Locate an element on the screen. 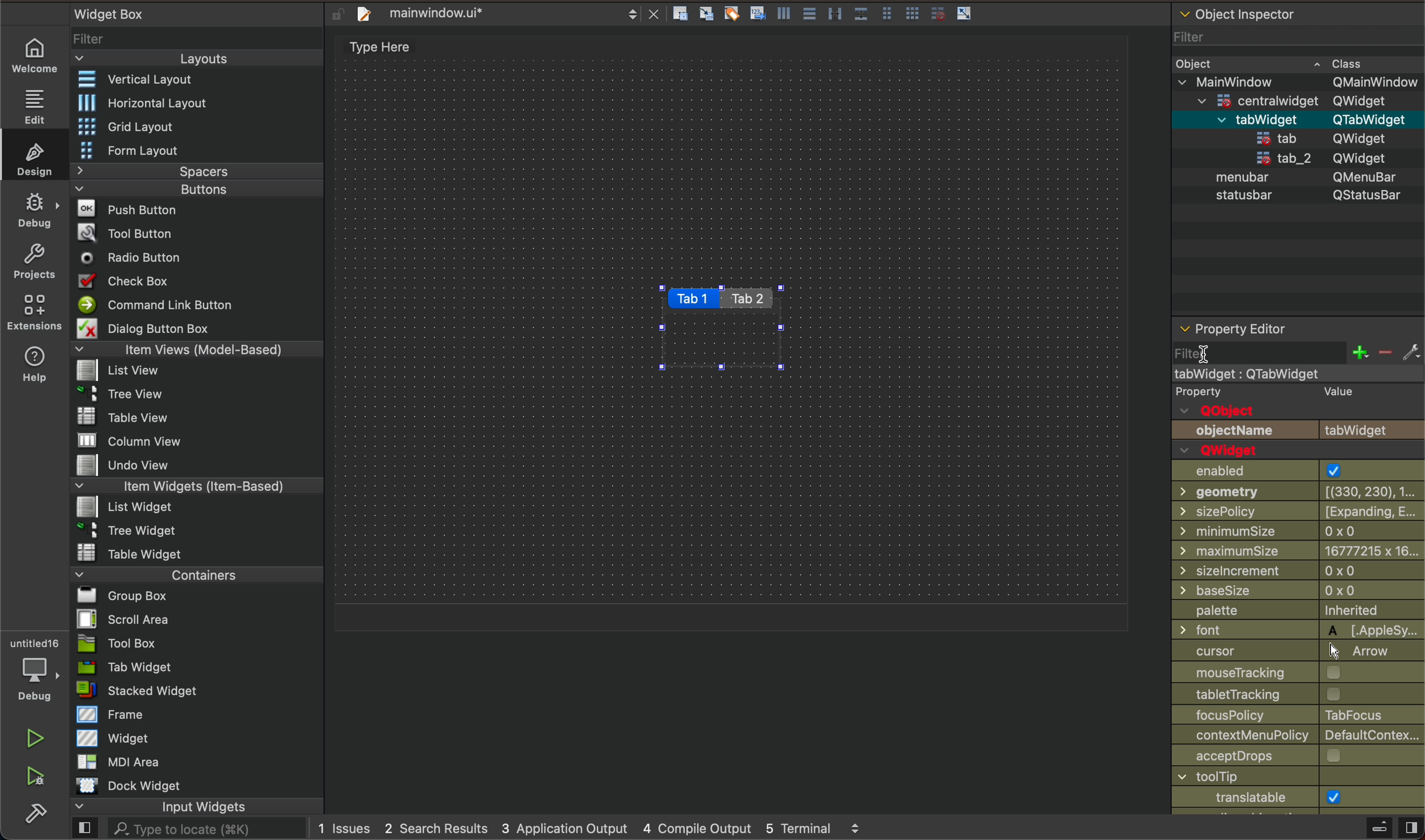 This screenshot has height=840, width=1425. Item Views (Model-Based) is located at coordinates (198, 350).